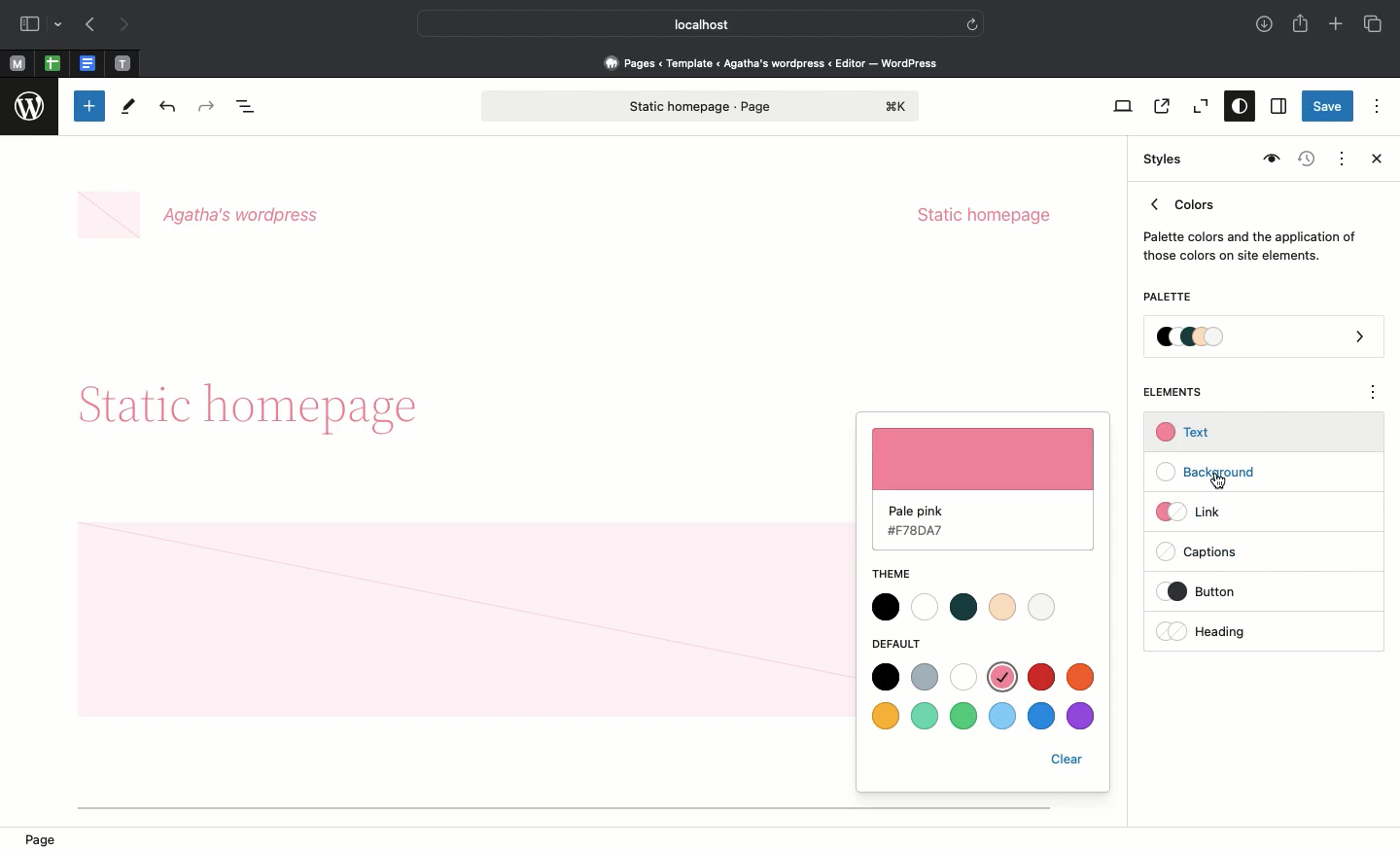 This screenshot has height=850, width=1400. Describe the element at coordinates (1197, 511) in the screenshot. I see `Link` at that location.